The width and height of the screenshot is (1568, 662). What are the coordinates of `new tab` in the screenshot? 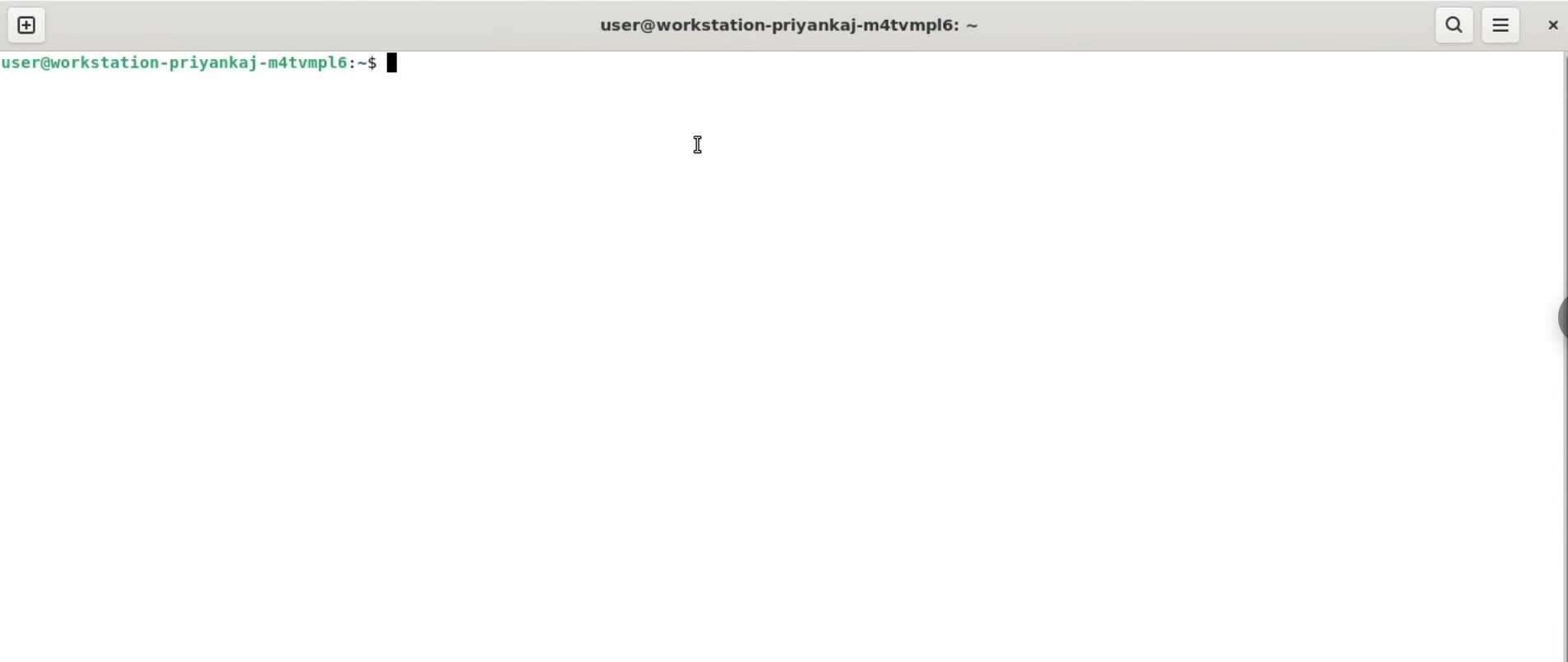 It's located at (26, 24).